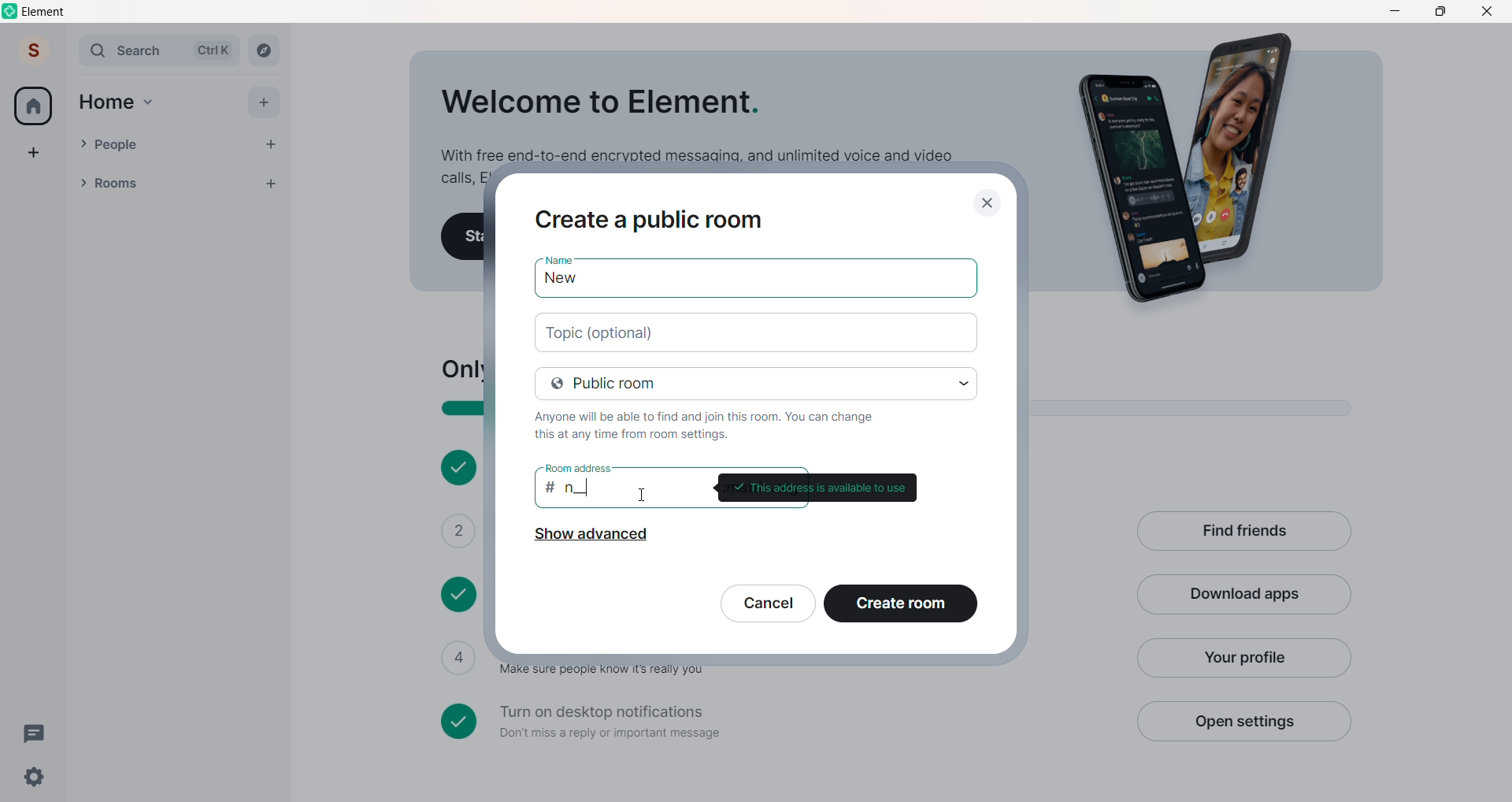 Image resolution: width=1512 pixels, height=802 pixels. Describe the element at coordinates (33, 106) in the screenshot. I see `Home` at that location.